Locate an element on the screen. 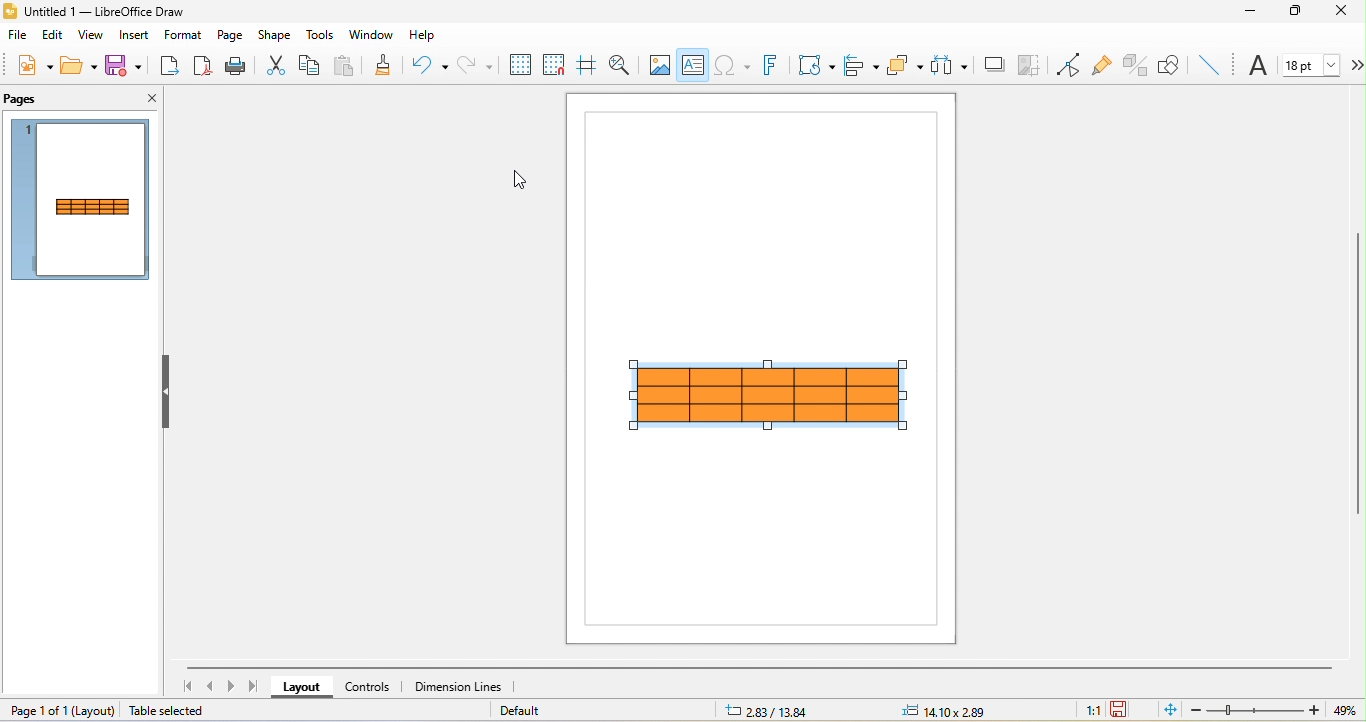  open is located at coordinates (82, 66).